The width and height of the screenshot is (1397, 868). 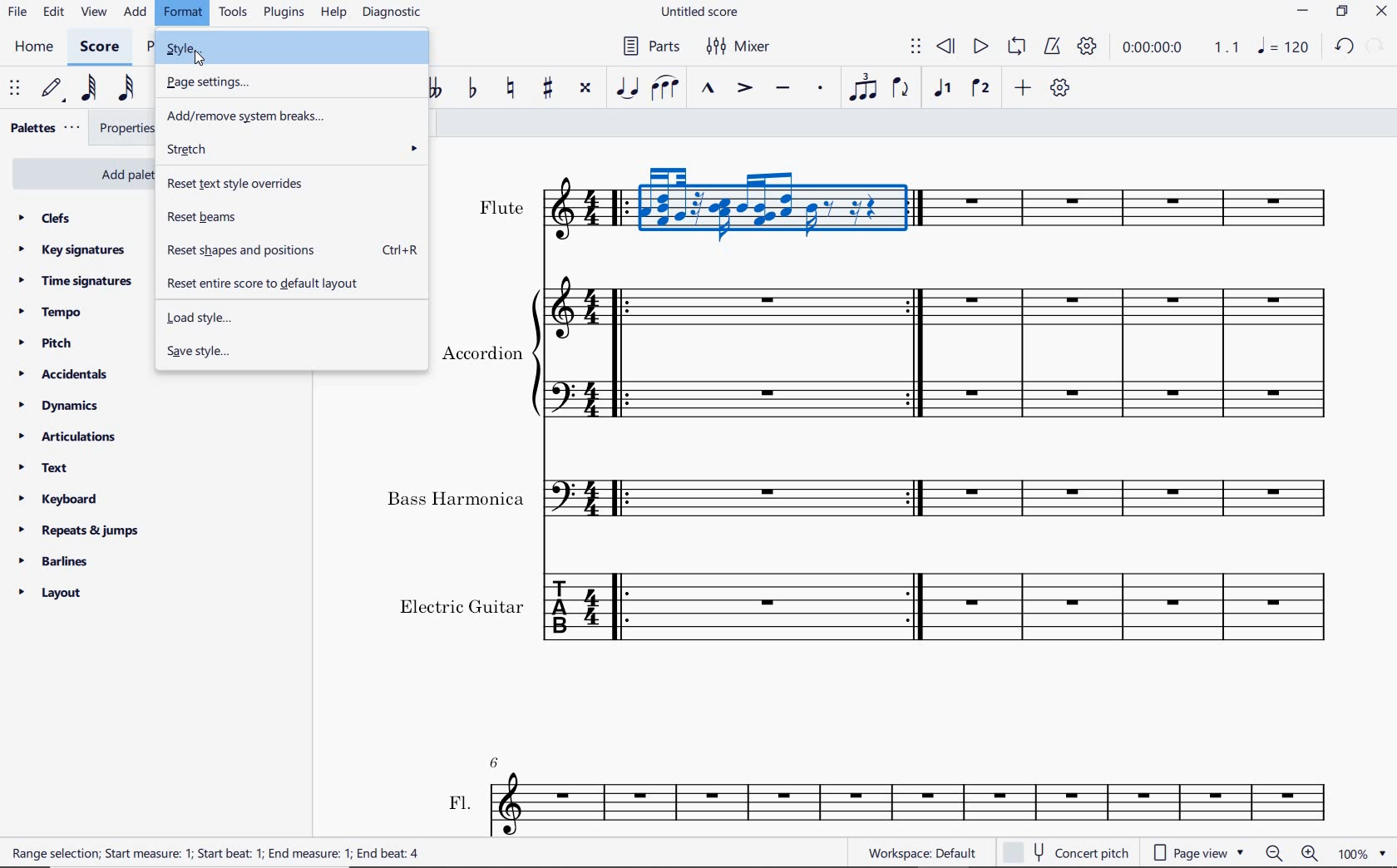 What do you see at coordinates (290, 116) in the screenshot?
I see `ADD/REMOVE SYSTEM BREAKS` at bounding box center [290, 116].